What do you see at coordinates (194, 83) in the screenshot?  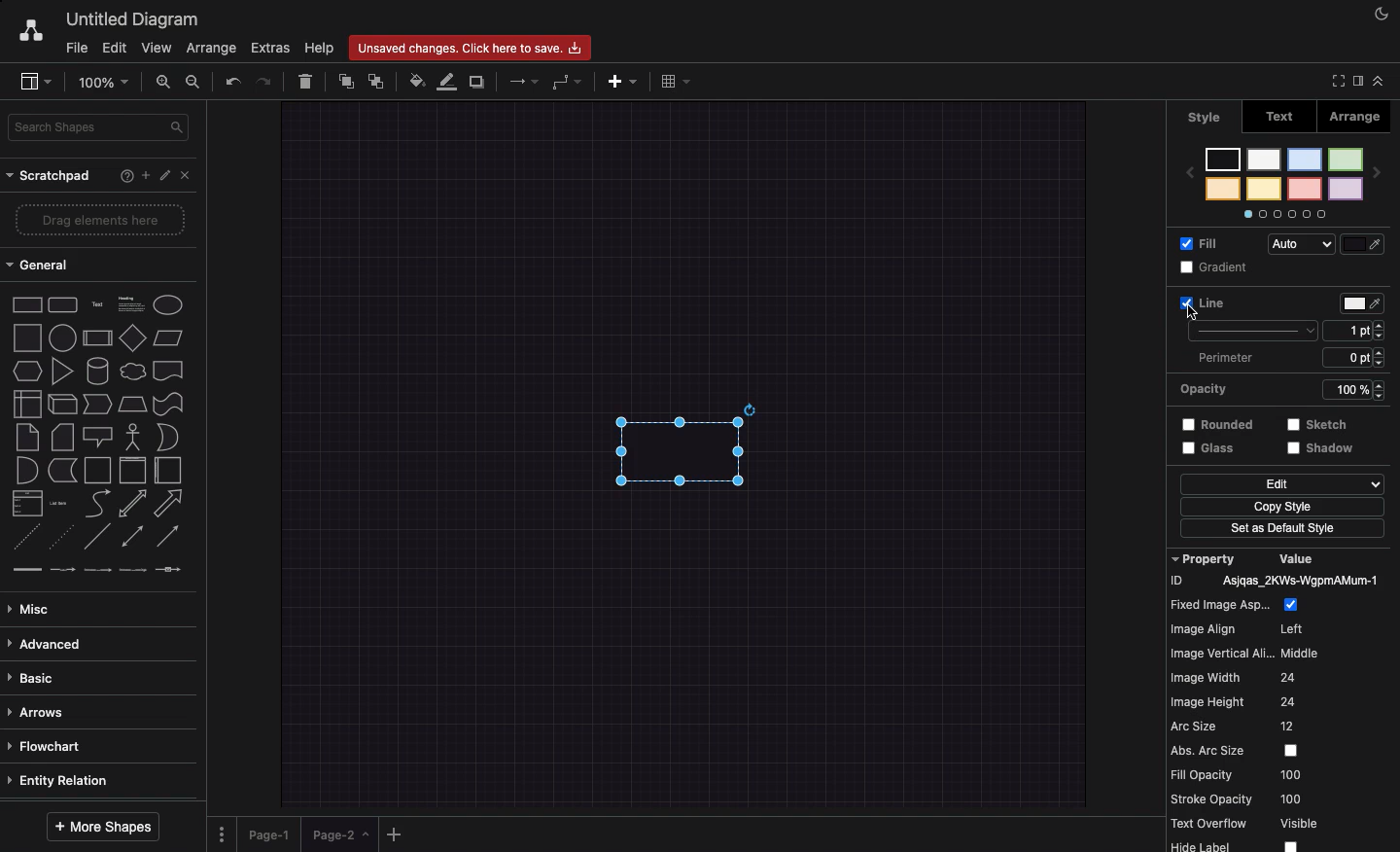 I see `Zoom out` at bounding box center [194, 83].